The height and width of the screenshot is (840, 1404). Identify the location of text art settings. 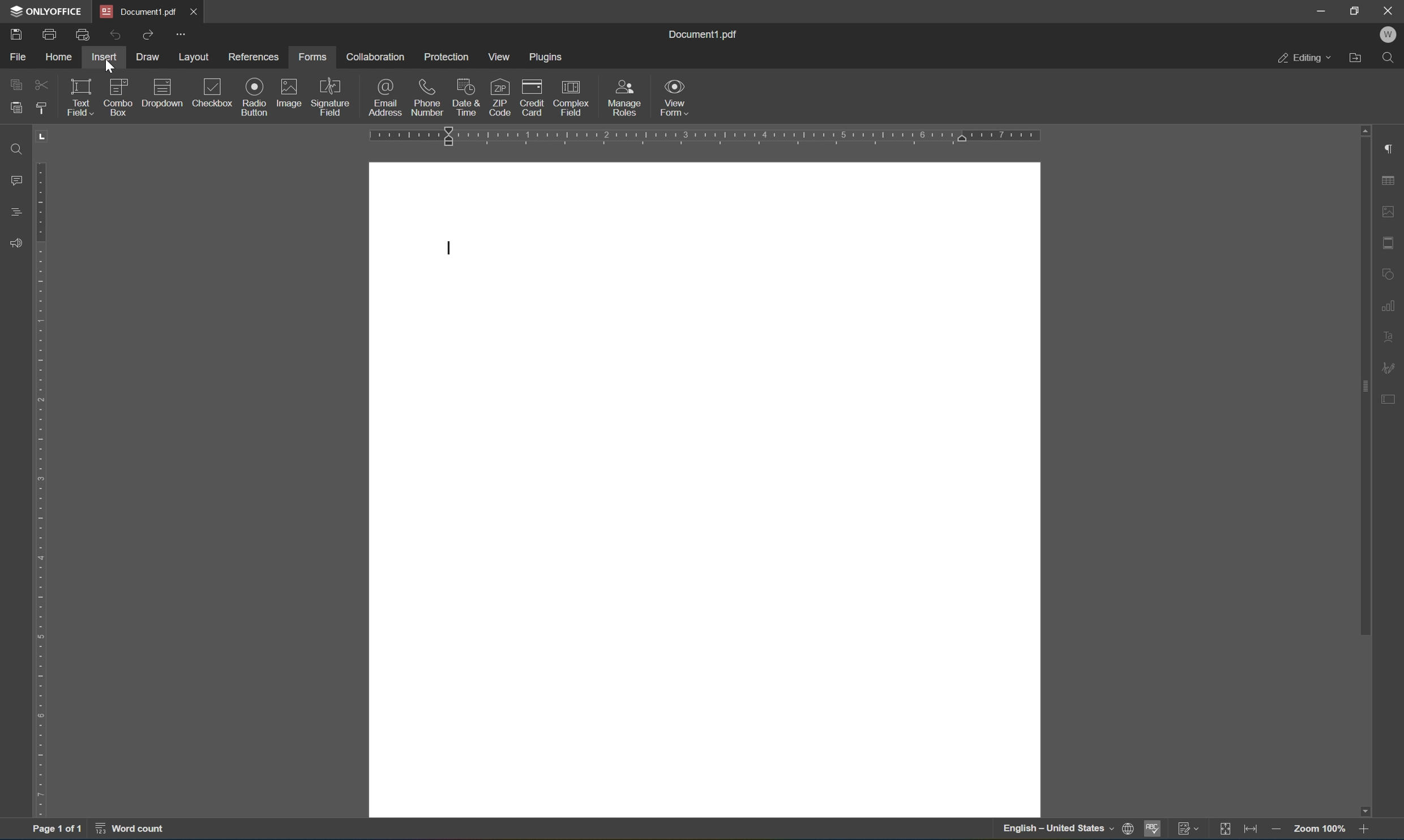
(1391, 337).